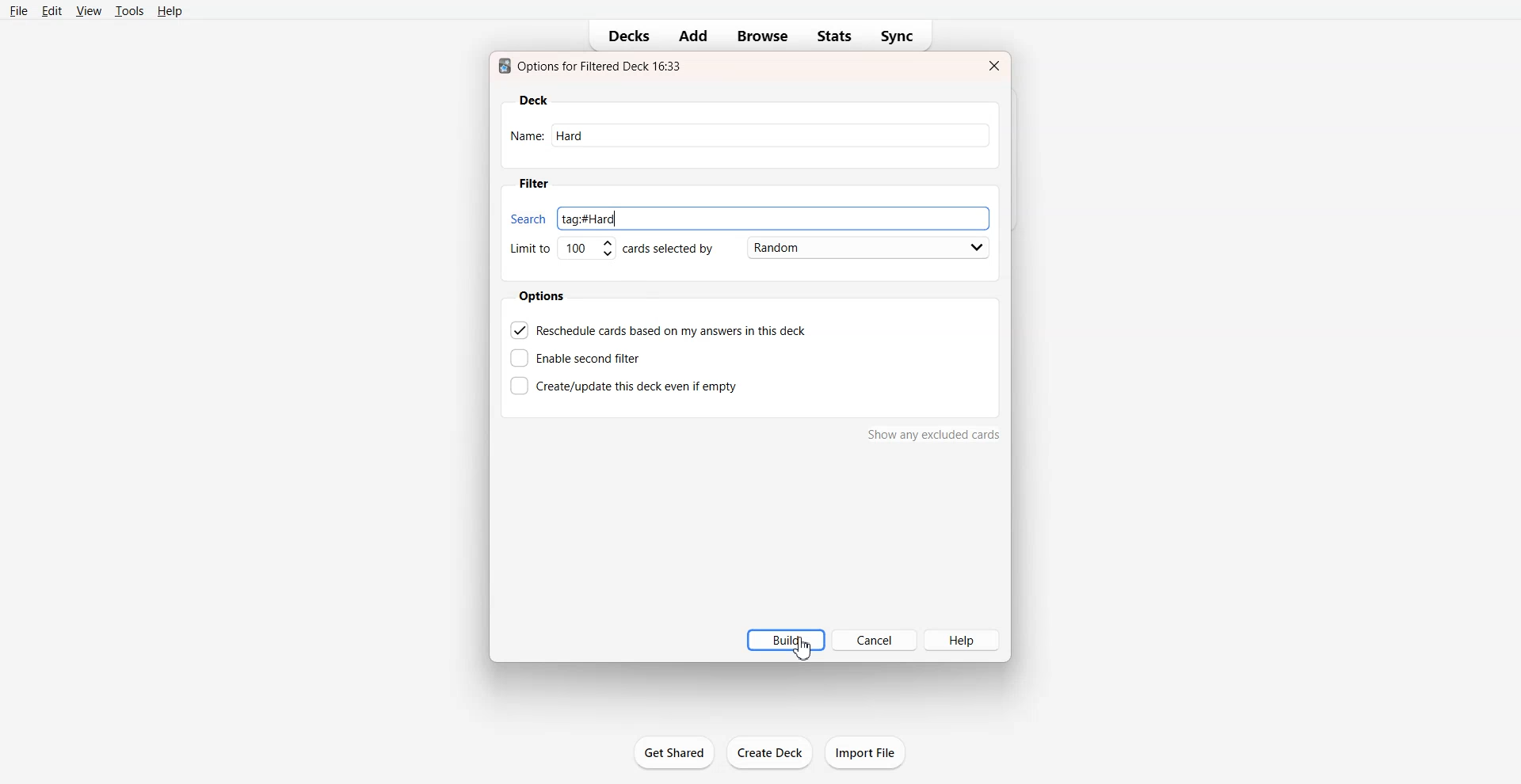 The image size is (1521, 784). What do you see at coordinates (593, 66) in the screenshot?
I see `Text` at bounding box center [593, 66].